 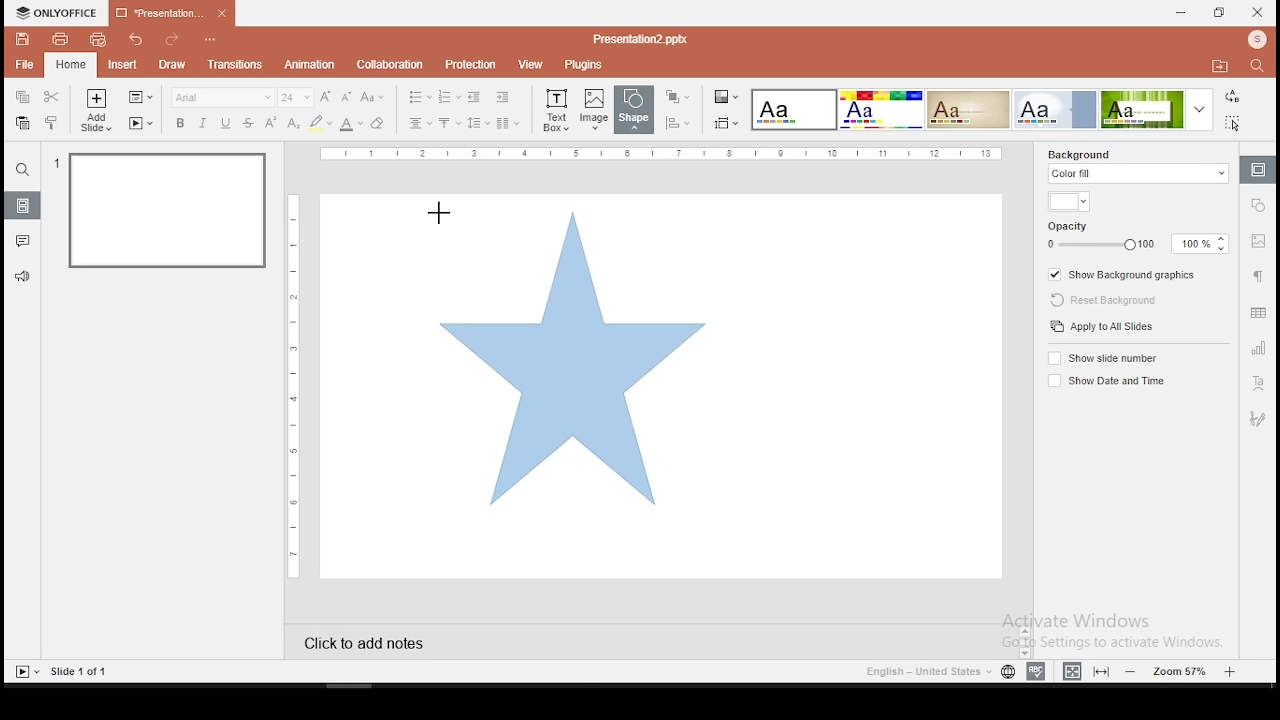 I want to click on print file, so click(x=58, y=39).